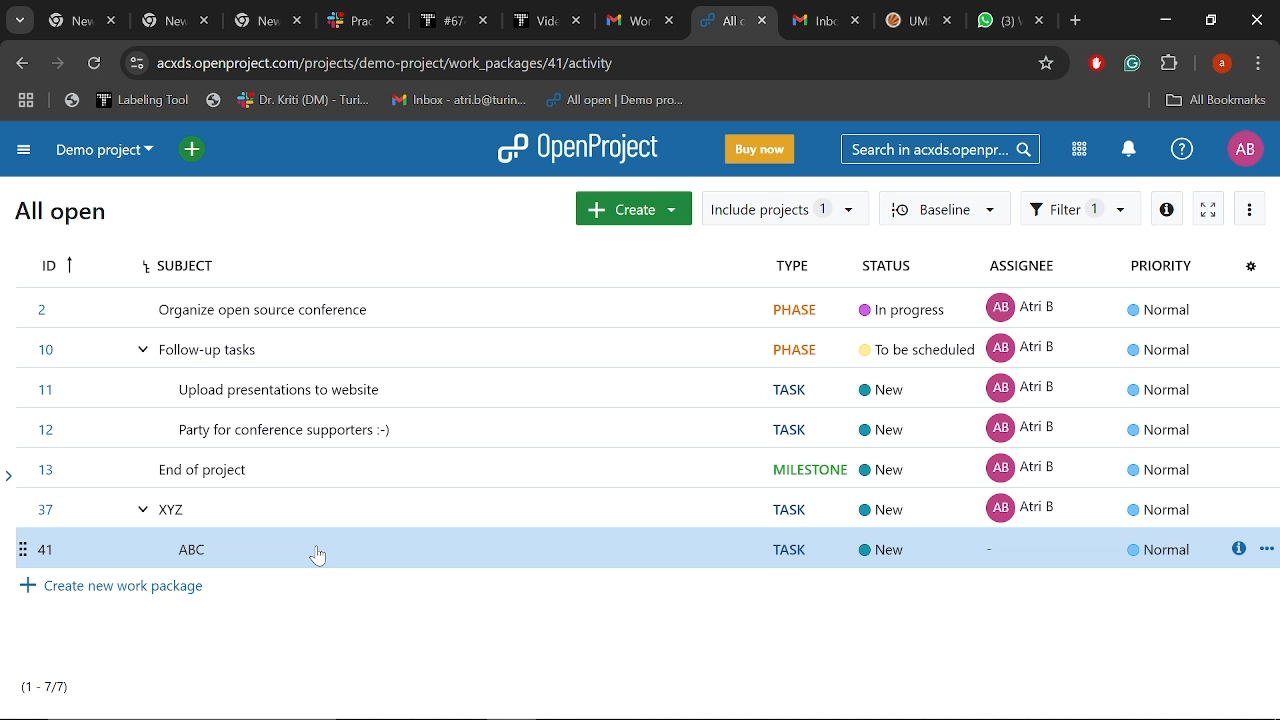  Describe the element at coordinates (1164, 22) in the screenshot. I see `Minimize` at that location.